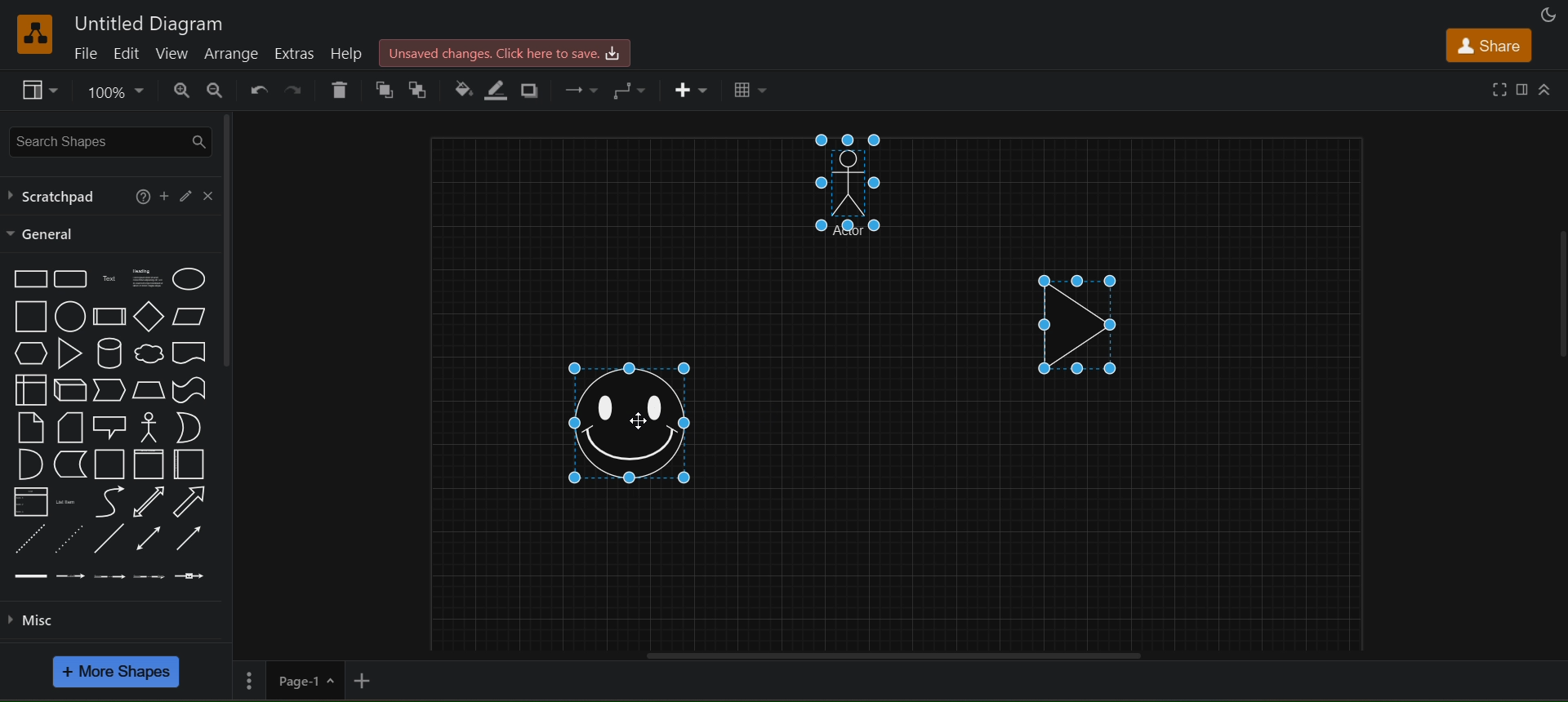 The image size is (1568, 702). I want to click on delete, so click(340, 89).